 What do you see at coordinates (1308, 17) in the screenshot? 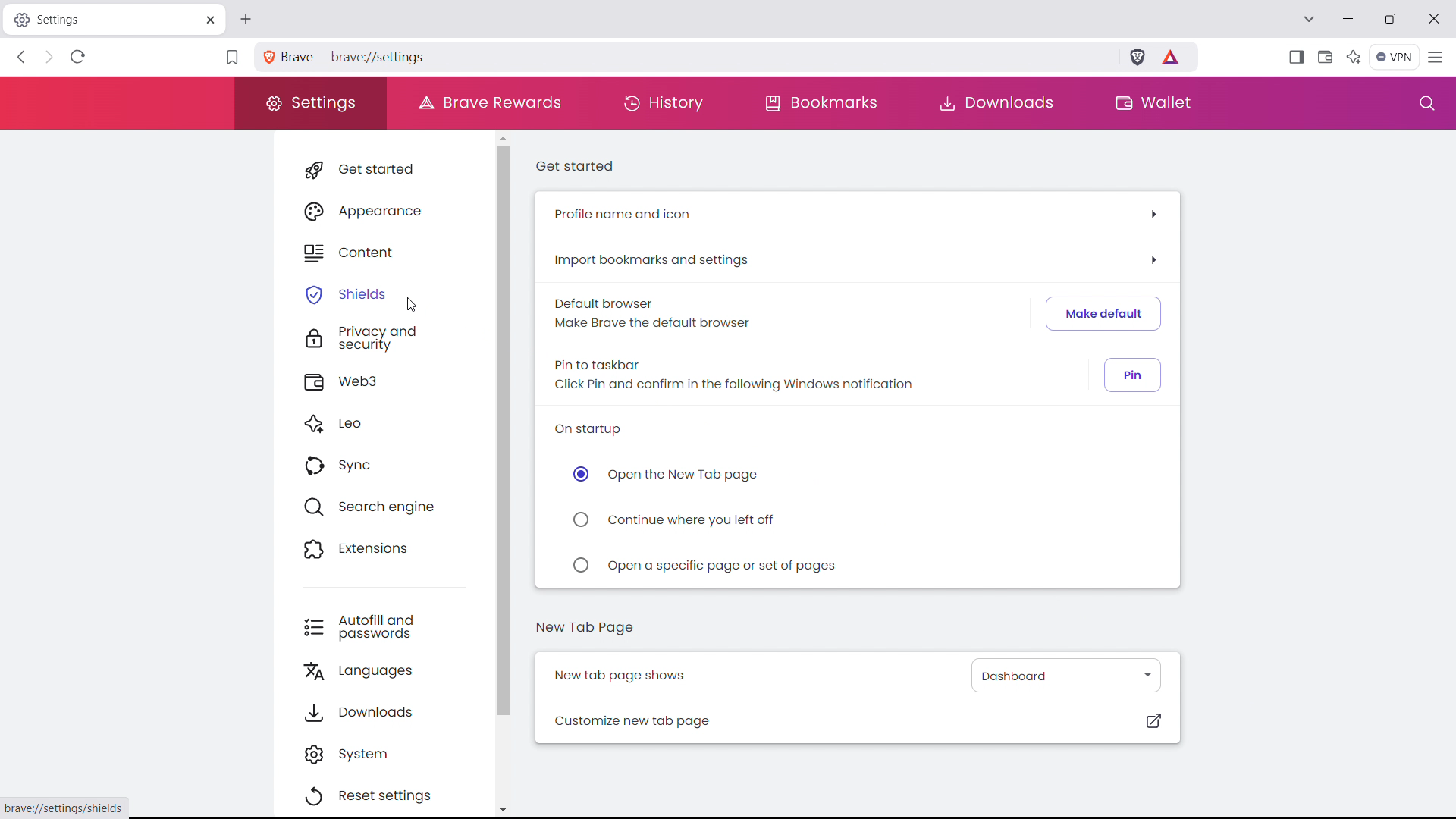
I see `search in tabs` at bounding box center [1308, 17].